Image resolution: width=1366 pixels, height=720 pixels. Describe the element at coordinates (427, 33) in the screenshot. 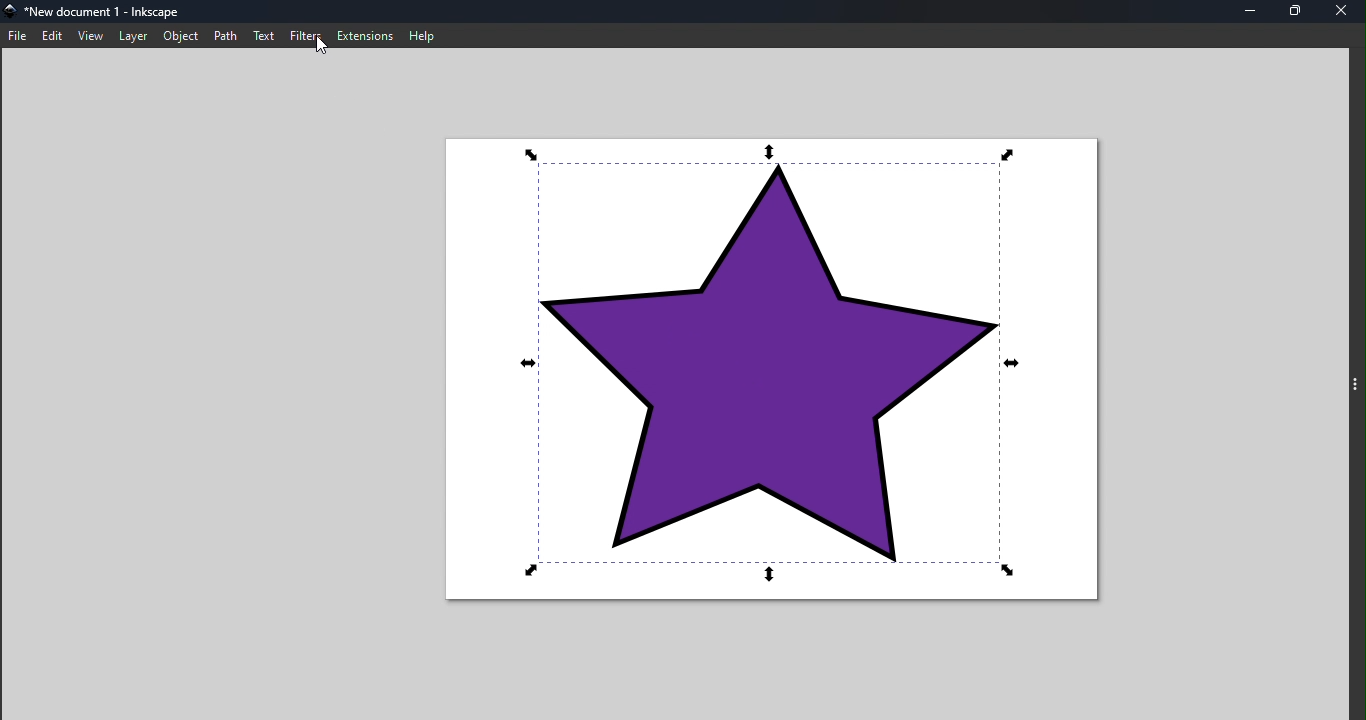

I see `Help` at that location.